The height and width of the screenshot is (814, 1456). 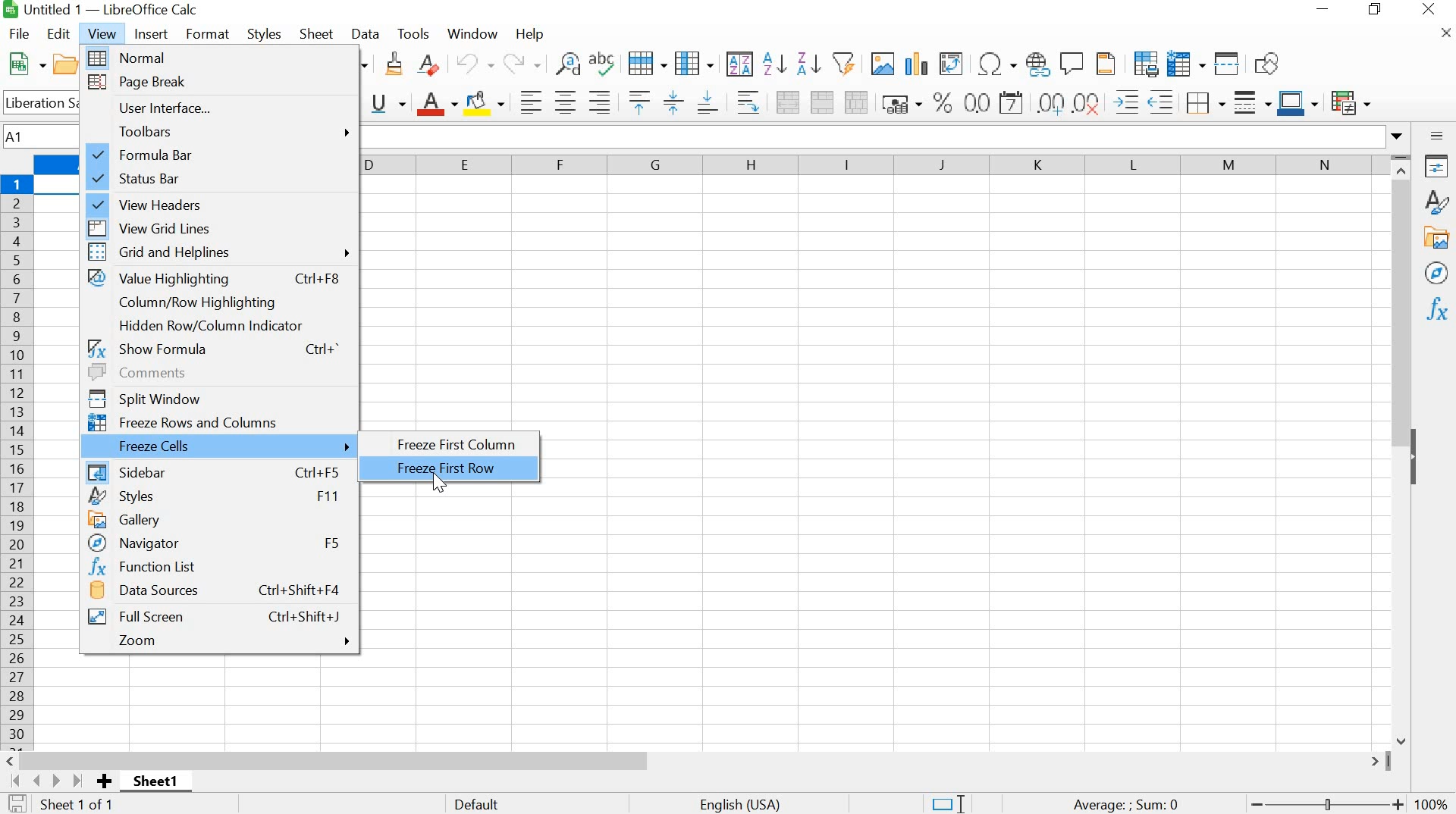 What do you see at coordinates (216, 396) in the screenshot?
I see `SPLIT WINDOW` at bounding box center [216, 396].